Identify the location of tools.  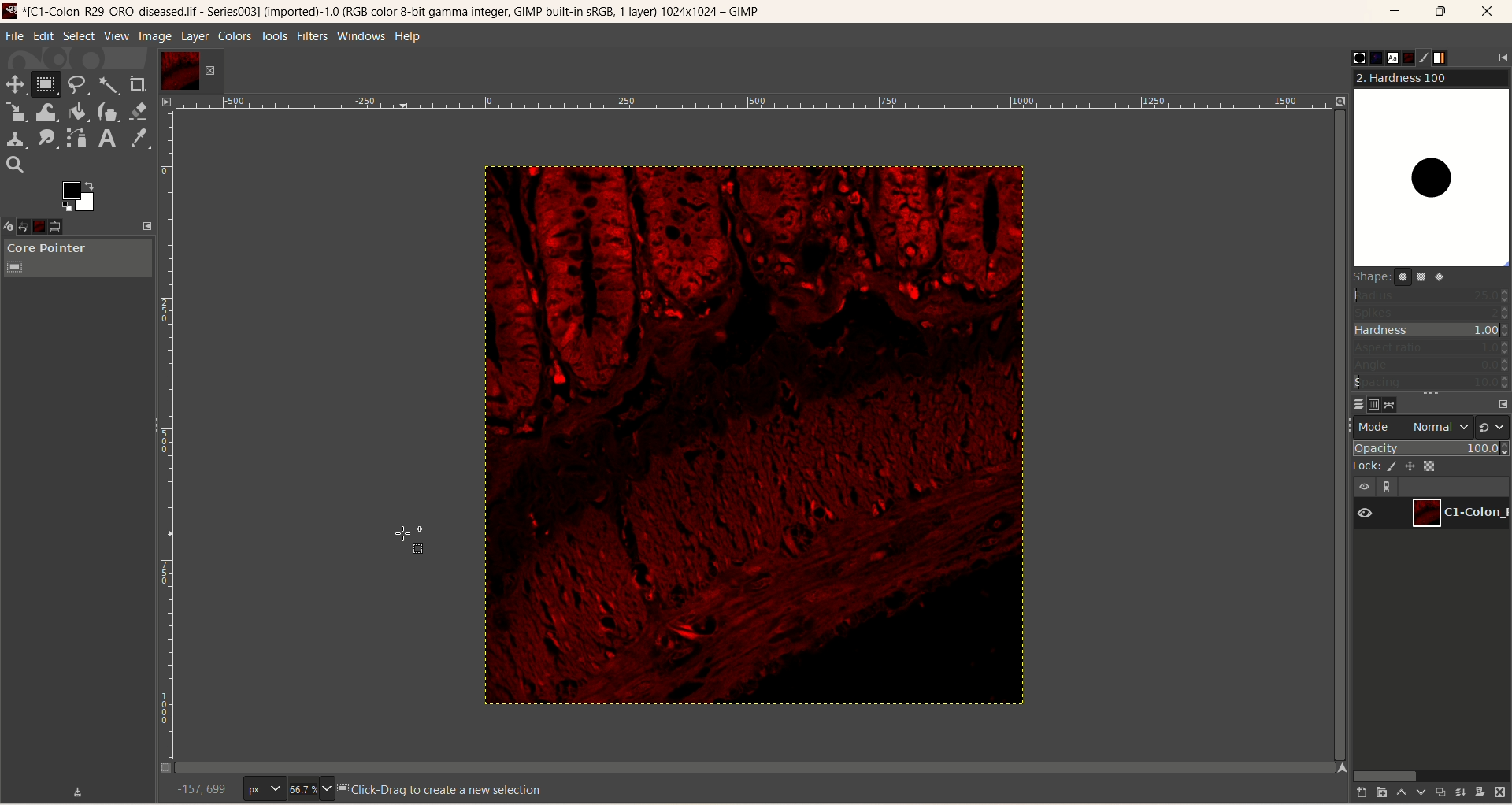
(275, 36).